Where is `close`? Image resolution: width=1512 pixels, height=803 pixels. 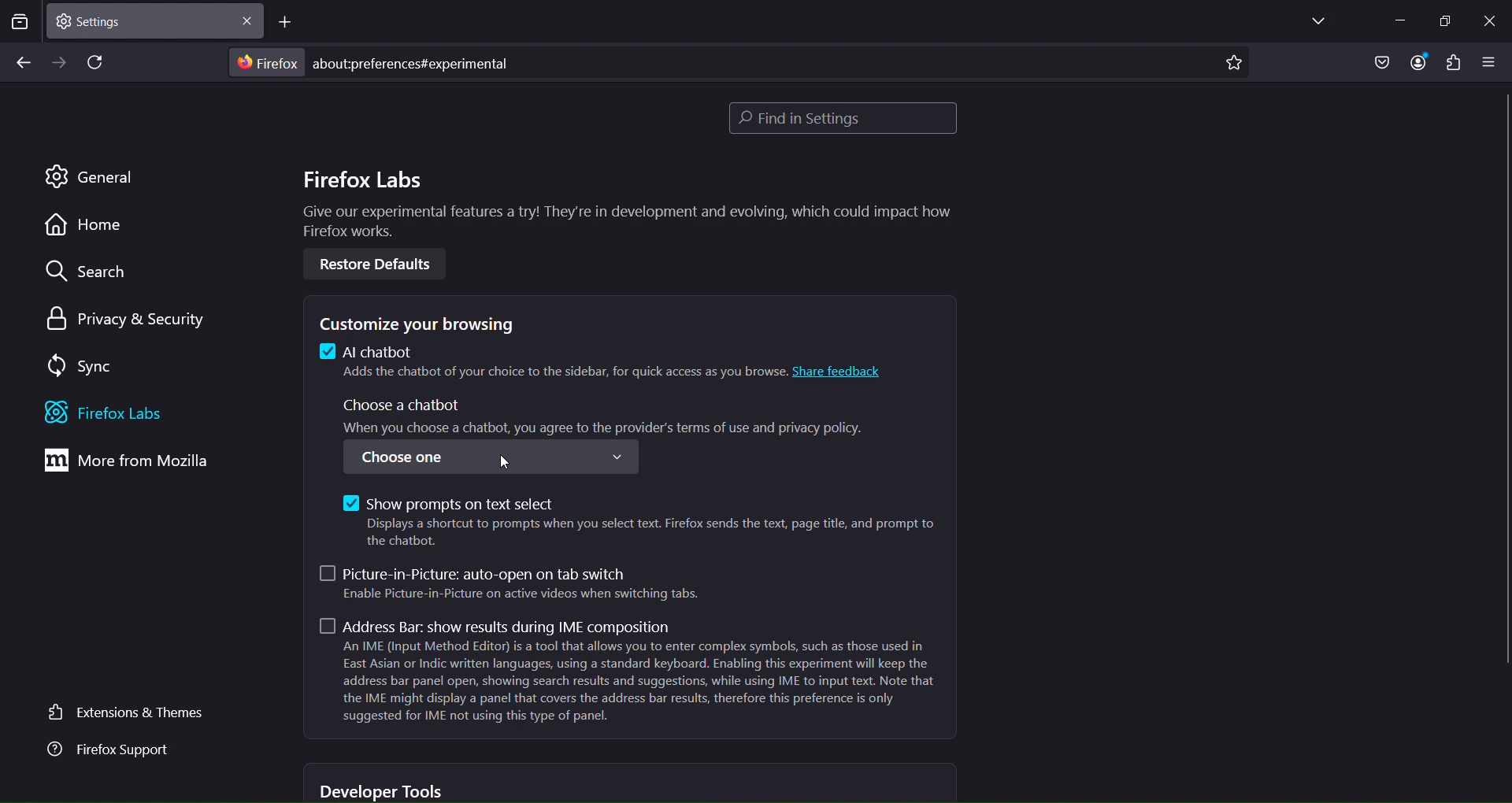
close is located at coordinates (1488, 19).